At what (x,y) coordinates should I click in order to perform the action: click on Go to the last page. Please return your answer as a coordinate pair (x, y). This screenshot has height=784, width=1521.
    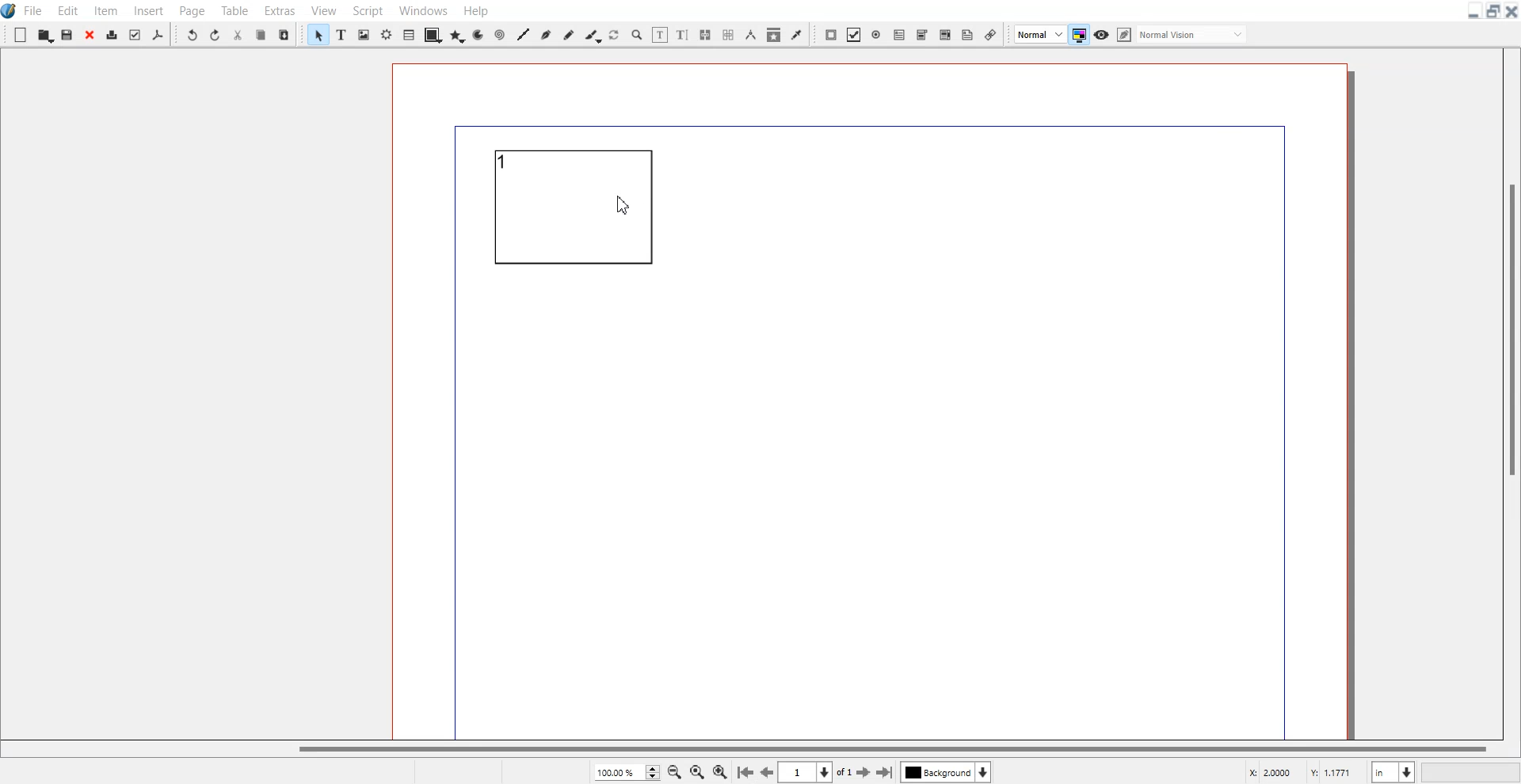
    Looking at the image, I should click on (884, 772).